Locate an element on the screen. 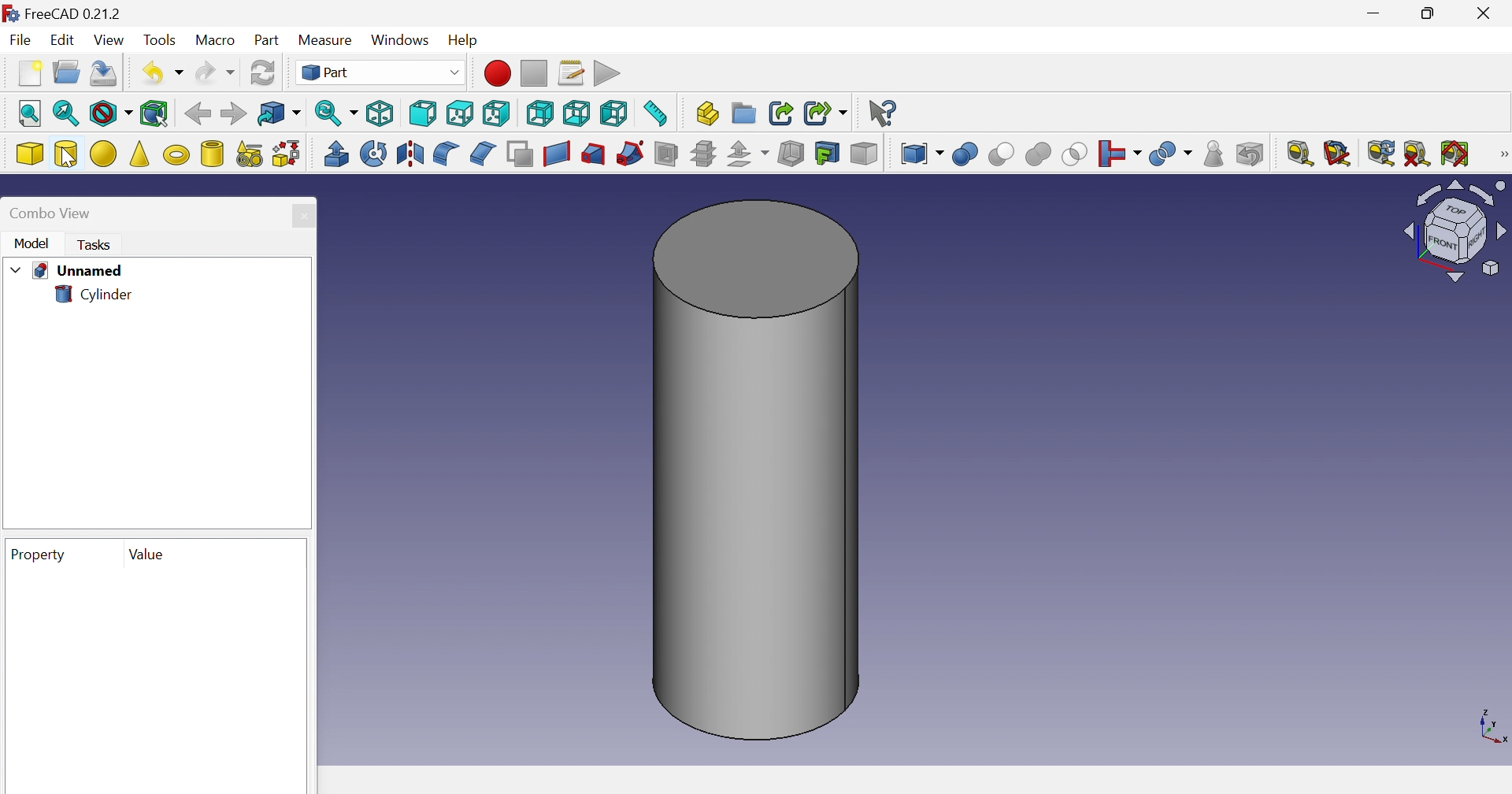  Cross-sections is located at coordinates (702, 154).